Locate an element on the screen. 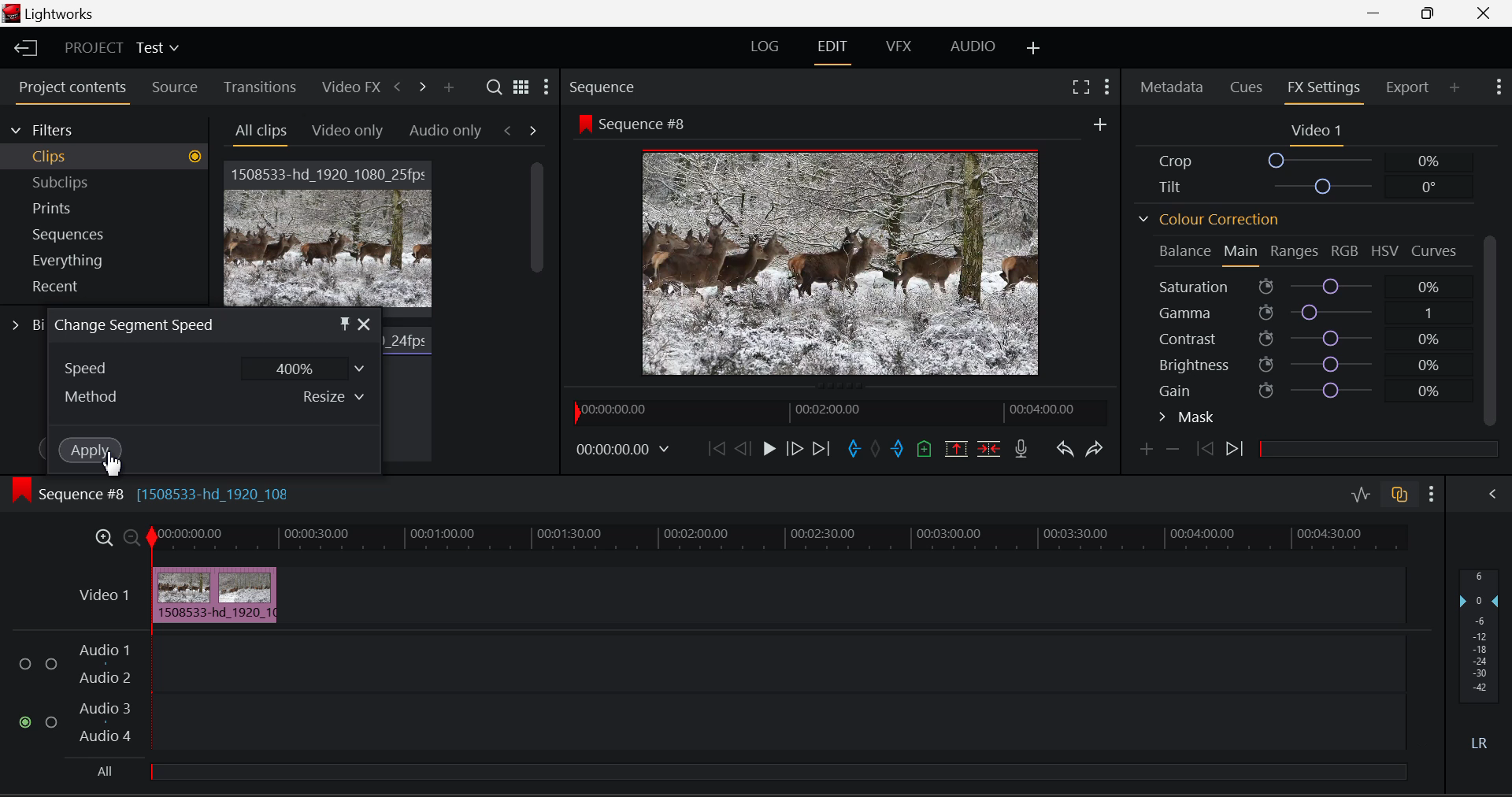 The image size is (1512, 797). Audio 2 is located at coordinates (107, 678).